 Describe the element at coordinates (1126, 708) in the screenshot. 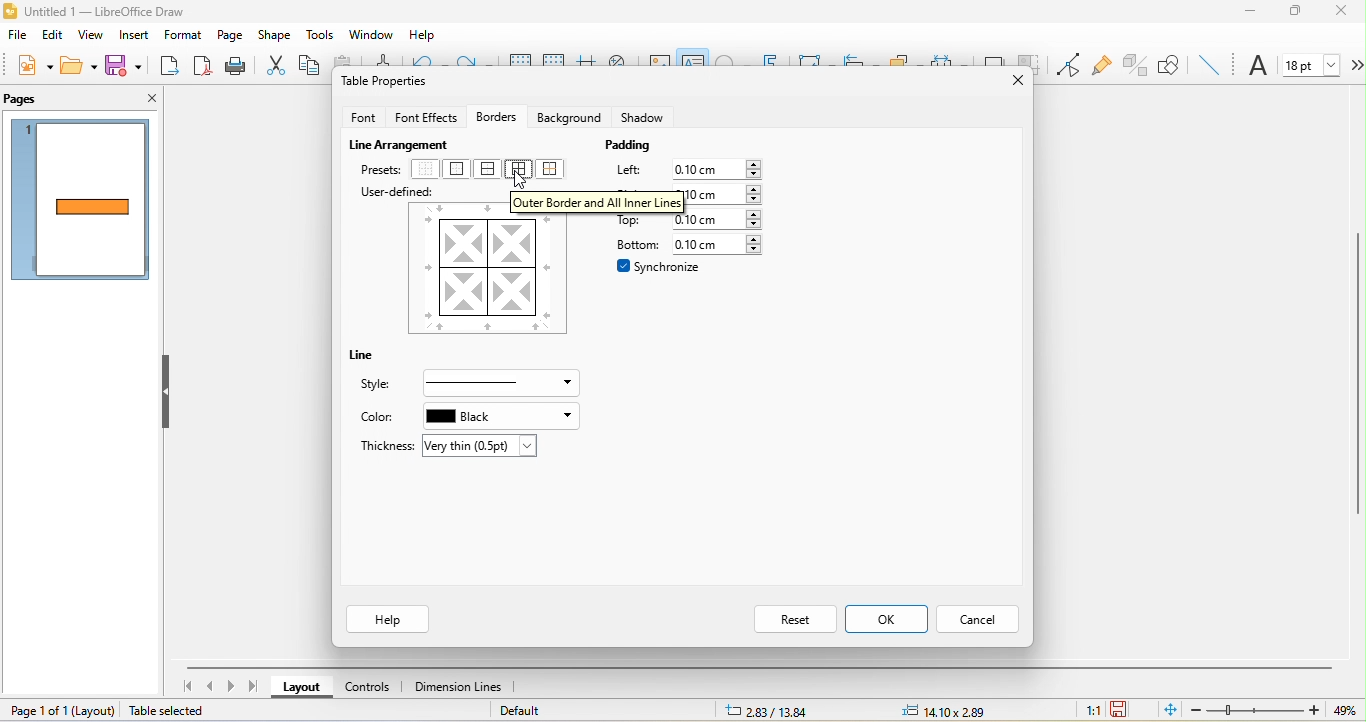

I see `the document has not been modified since the last save` at that location.